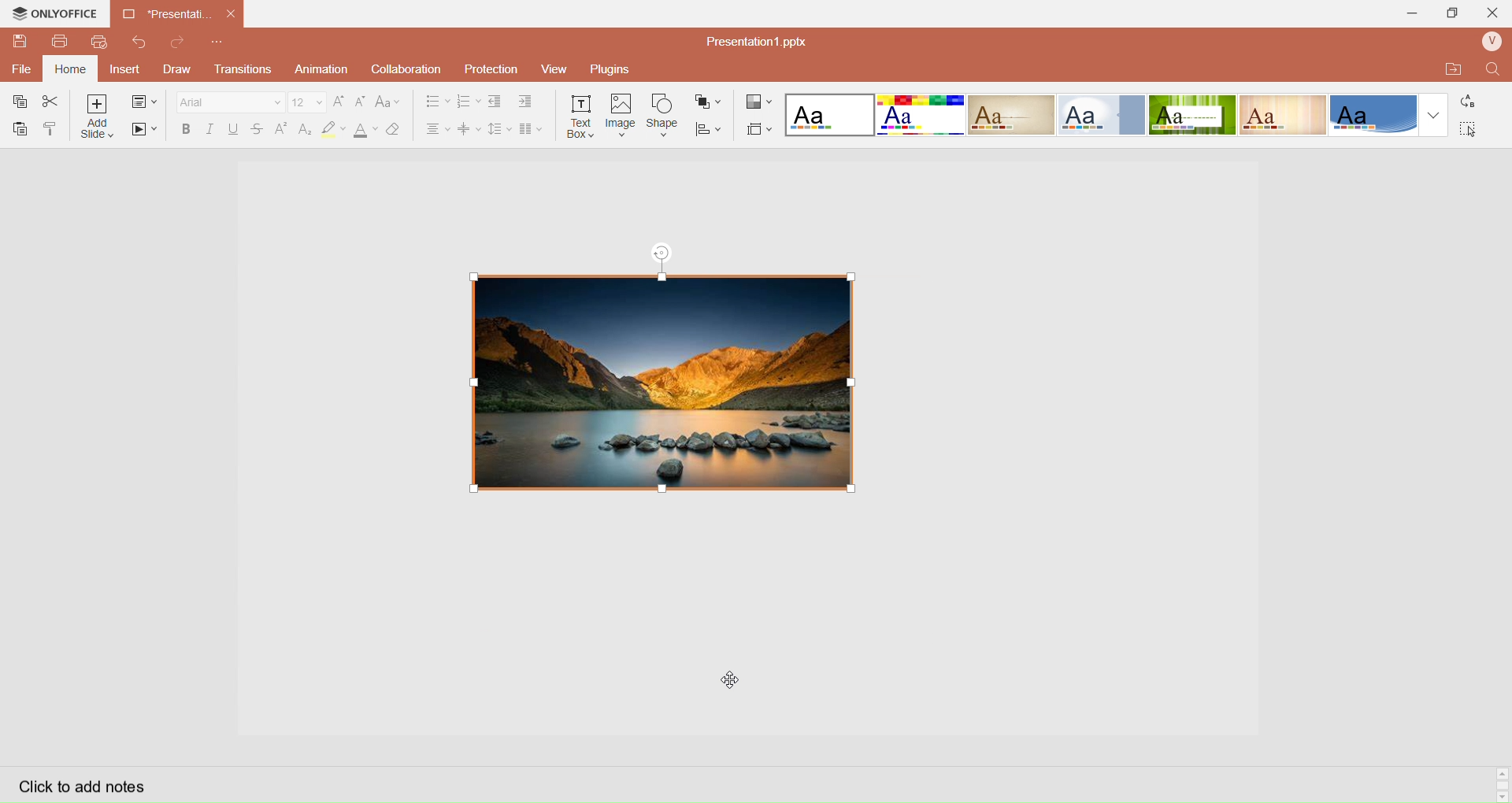  I want to click on cursor, so click(730, 680).